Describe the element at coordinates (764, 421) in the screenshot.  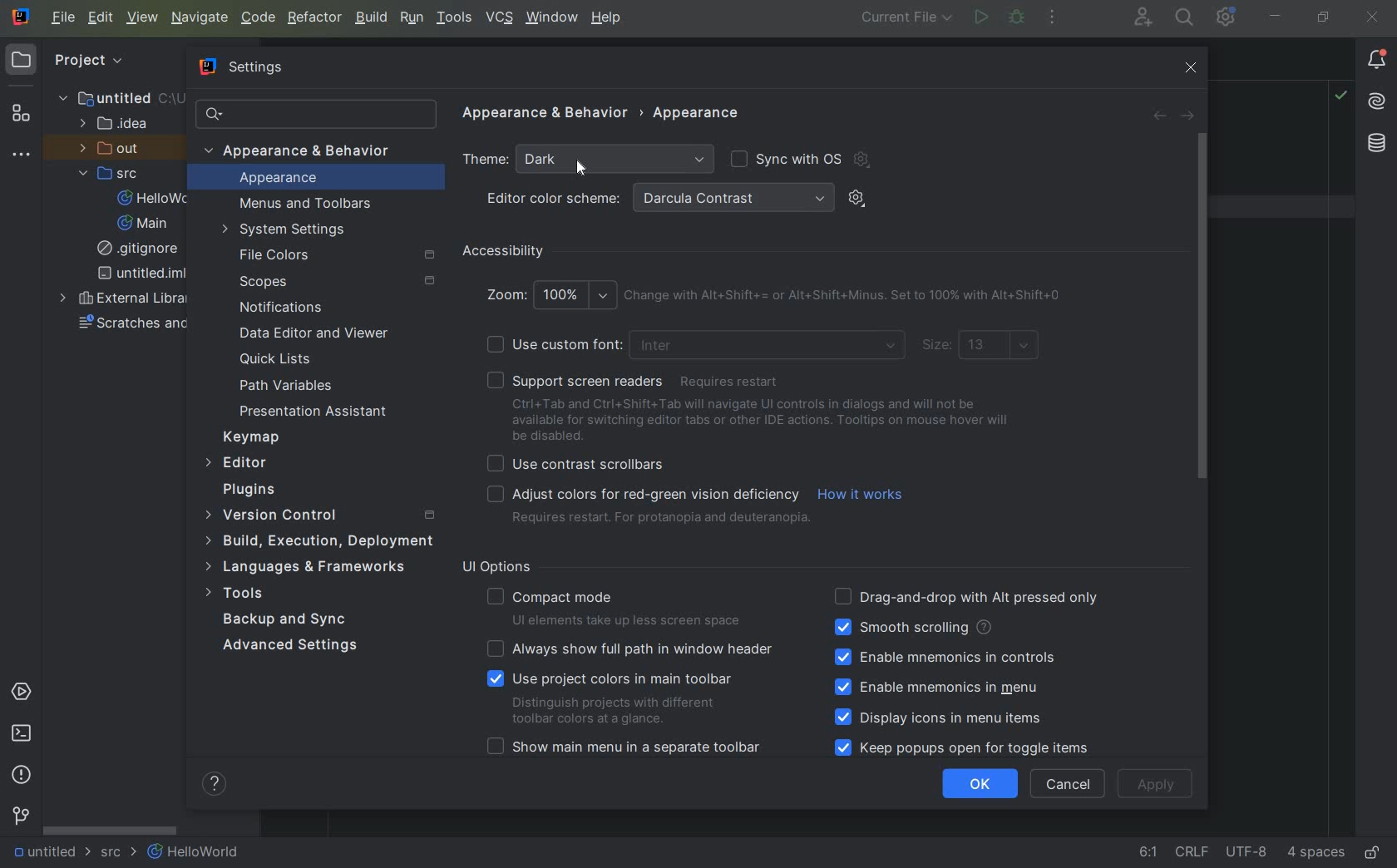
I see `(Information on support system)Ctri+Tab and Ctri+Shift+Tab will navigate Ul controls in dialogs and will not beavailable for switching editor tabs or other IDE actions. Tooltips on mouse hover willhe dicabled.` at that location.